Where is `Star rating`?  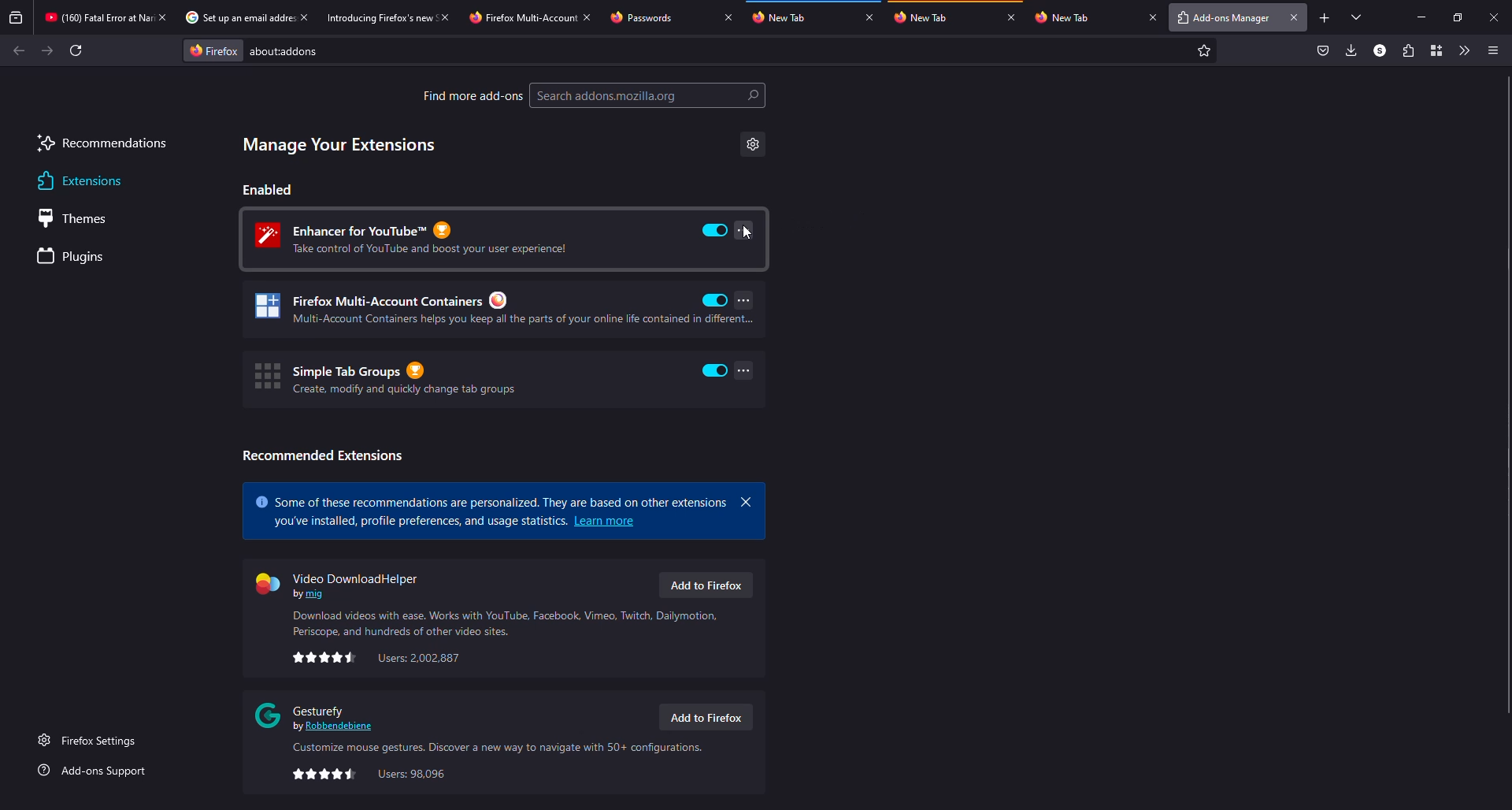 Star rating is located at coordinates (325, 657).